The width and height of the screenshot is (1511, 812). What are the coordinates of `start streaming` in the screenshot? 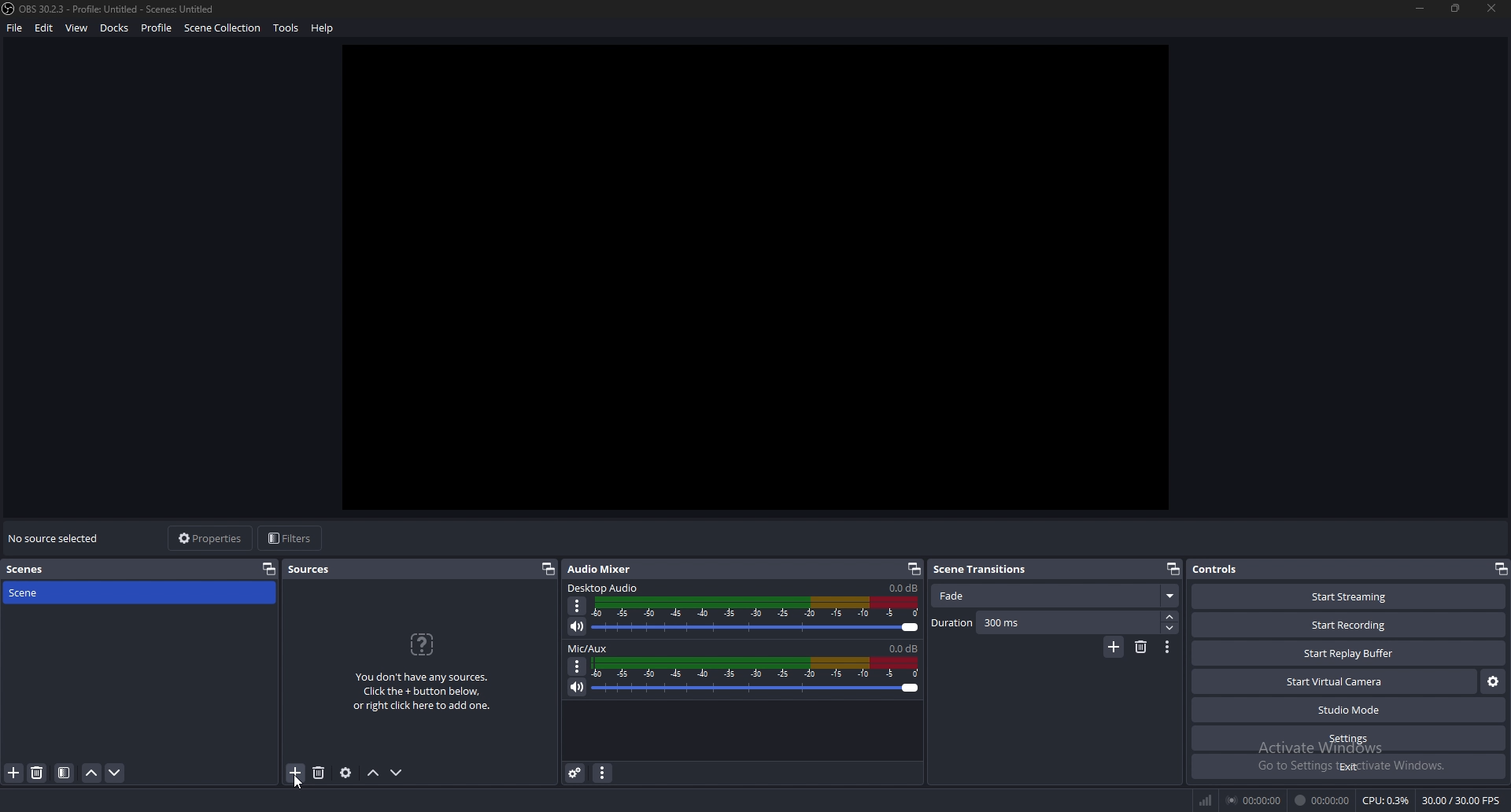 It's located at (1350, 599).